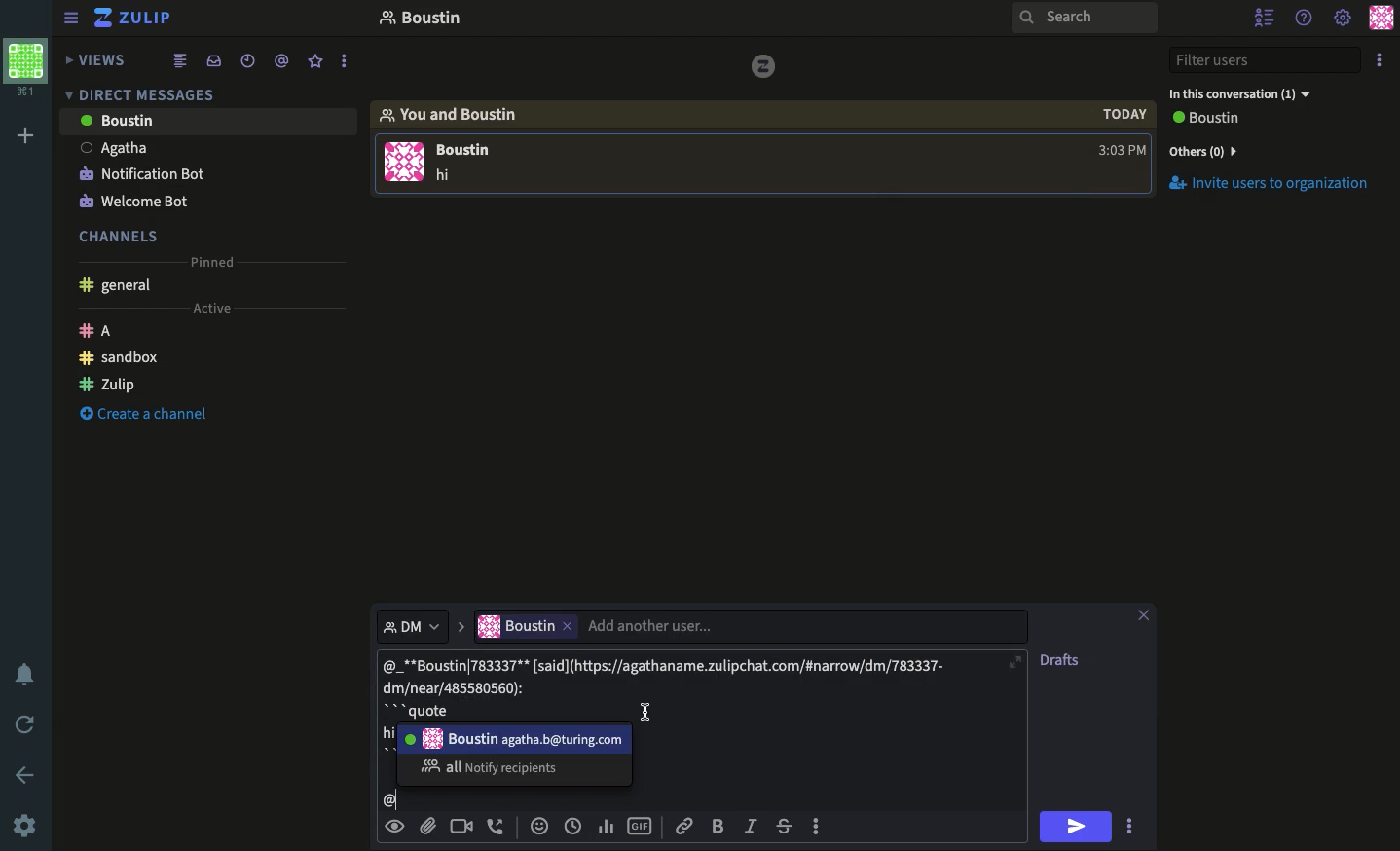 Image resolution: width=1400 pixels, height=851 pixels. Describe the element at coordinates (119, 285) in the screenshot. I see `General` at that location.